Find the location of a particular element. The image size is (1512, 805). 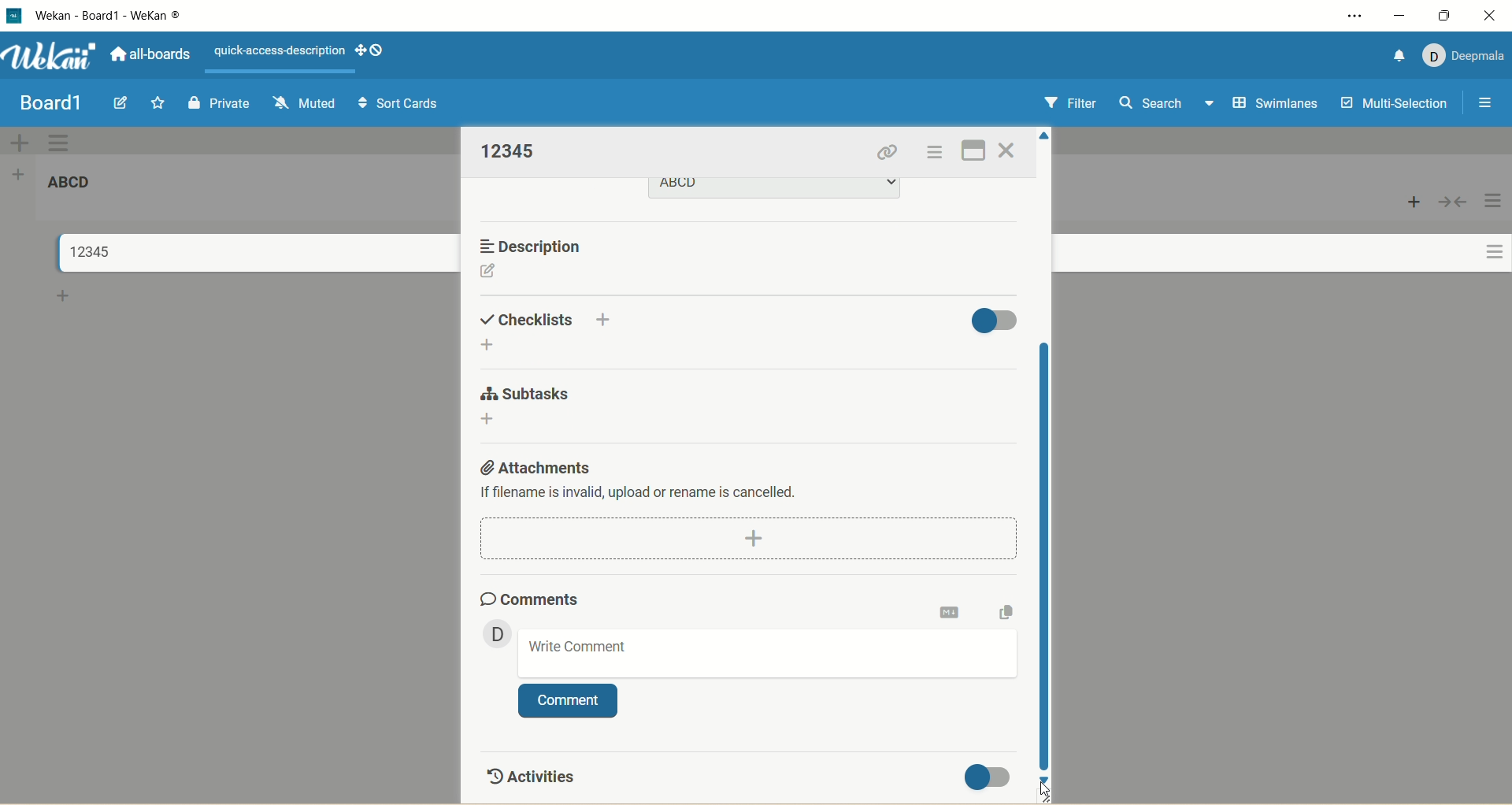

add card is located at coordinates (1414, 202).